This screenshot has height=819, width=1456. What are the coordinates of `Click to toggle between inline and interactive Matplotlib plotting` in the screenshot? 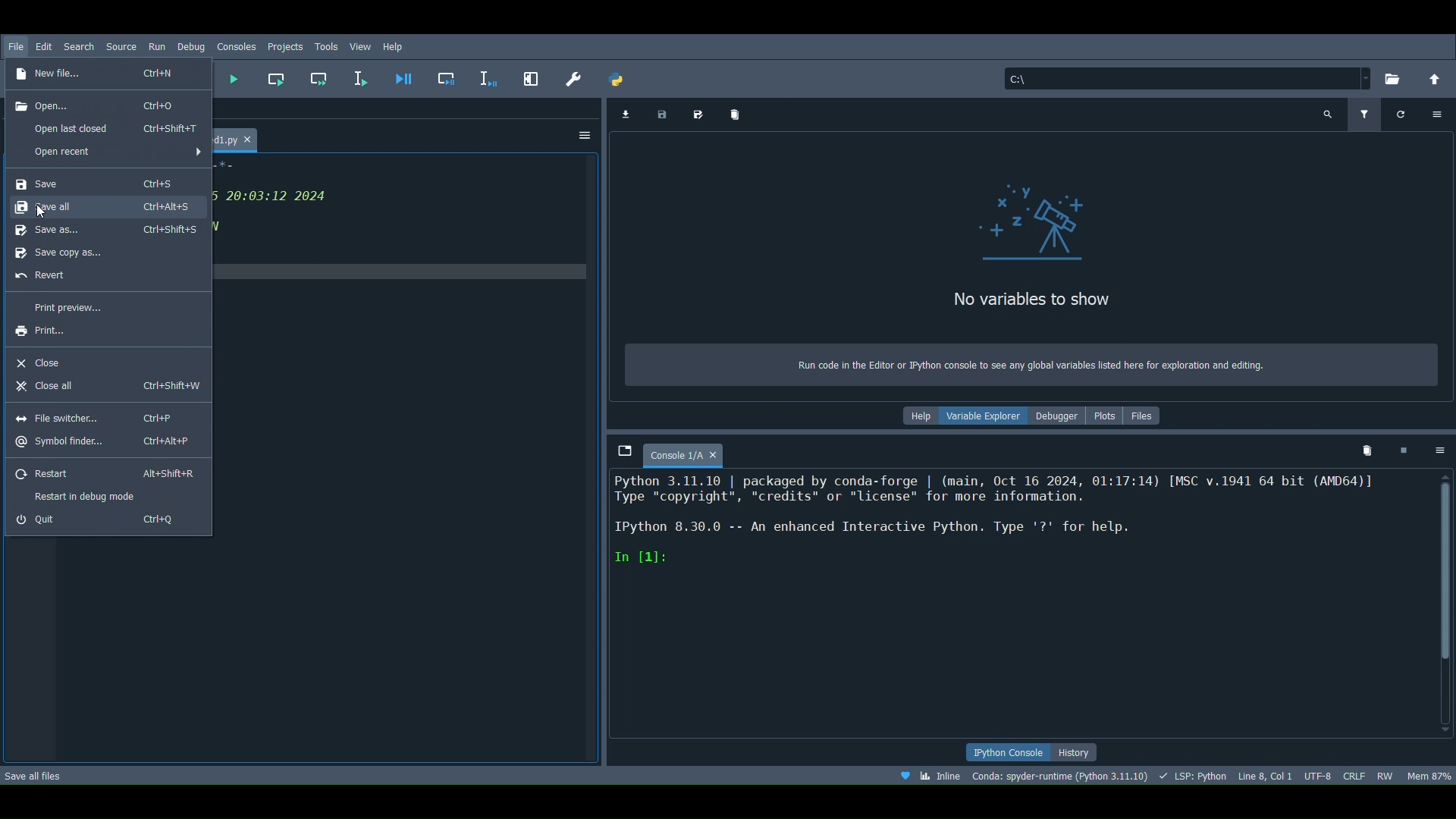 It's located at (929, 776).